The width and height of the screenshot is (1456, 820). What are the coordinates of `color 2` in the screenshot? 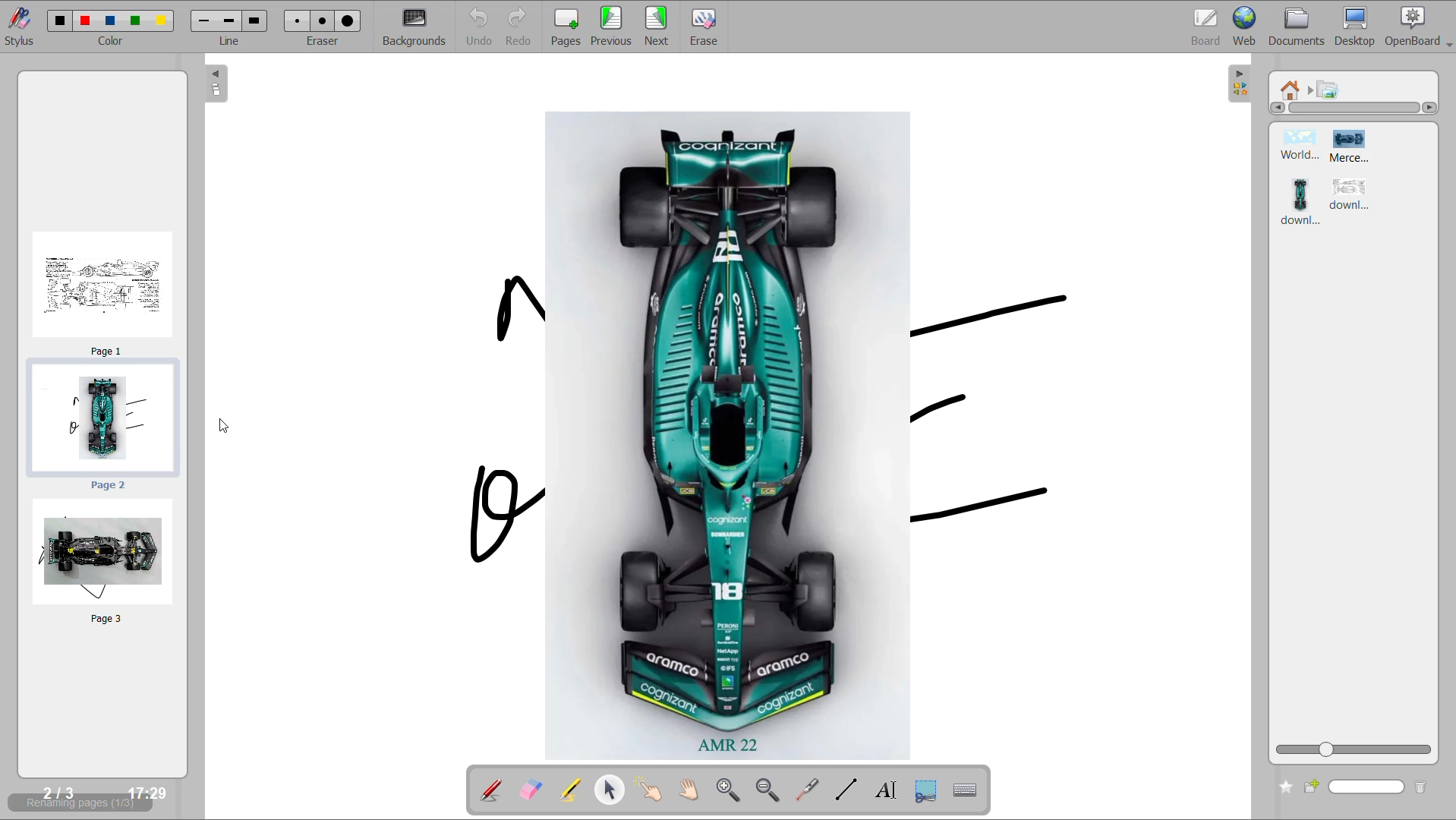 It's located at (87, 20).